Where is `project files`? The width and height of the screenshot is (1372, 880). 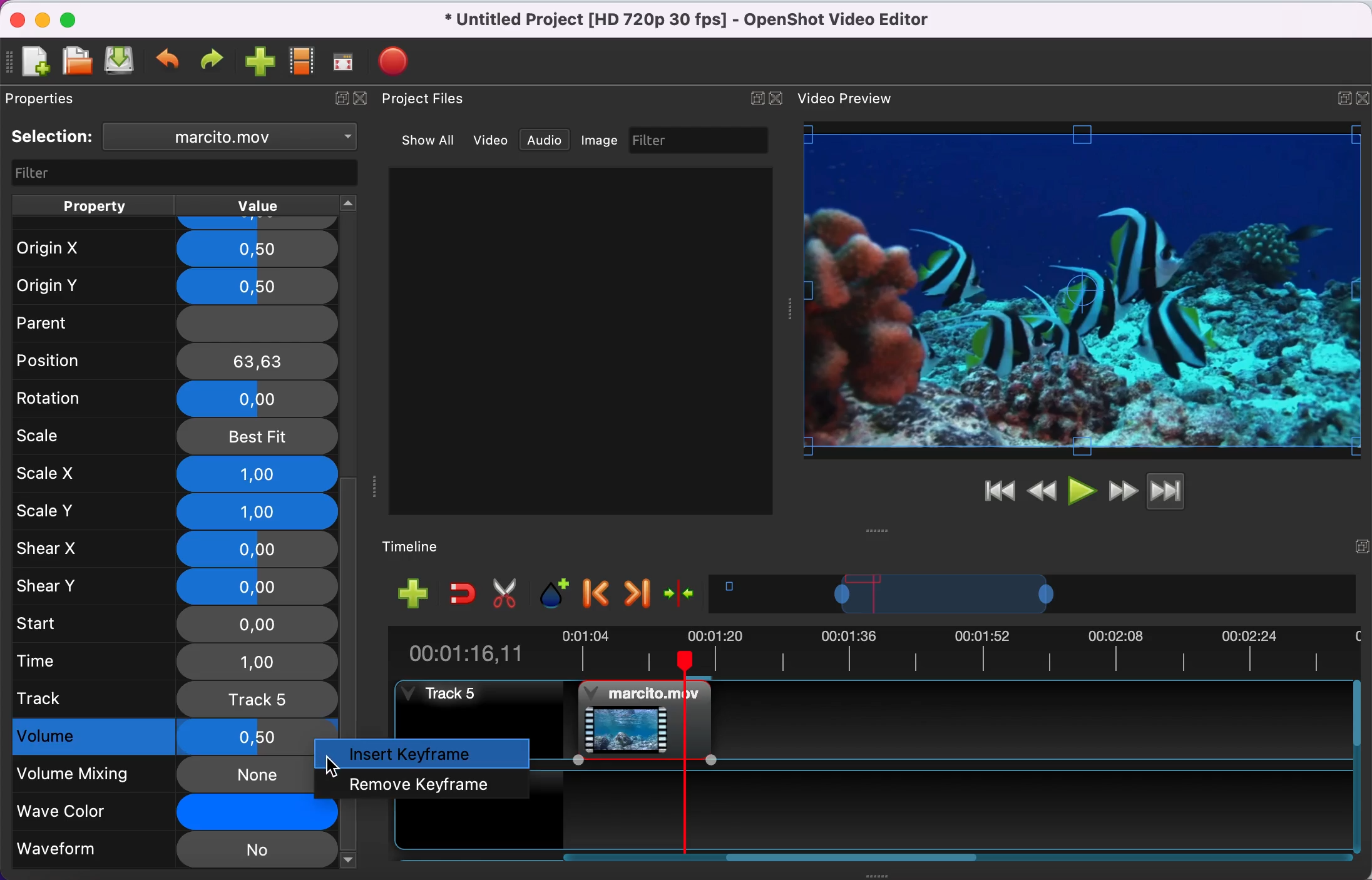 project files is located at coordinates (435, 100).